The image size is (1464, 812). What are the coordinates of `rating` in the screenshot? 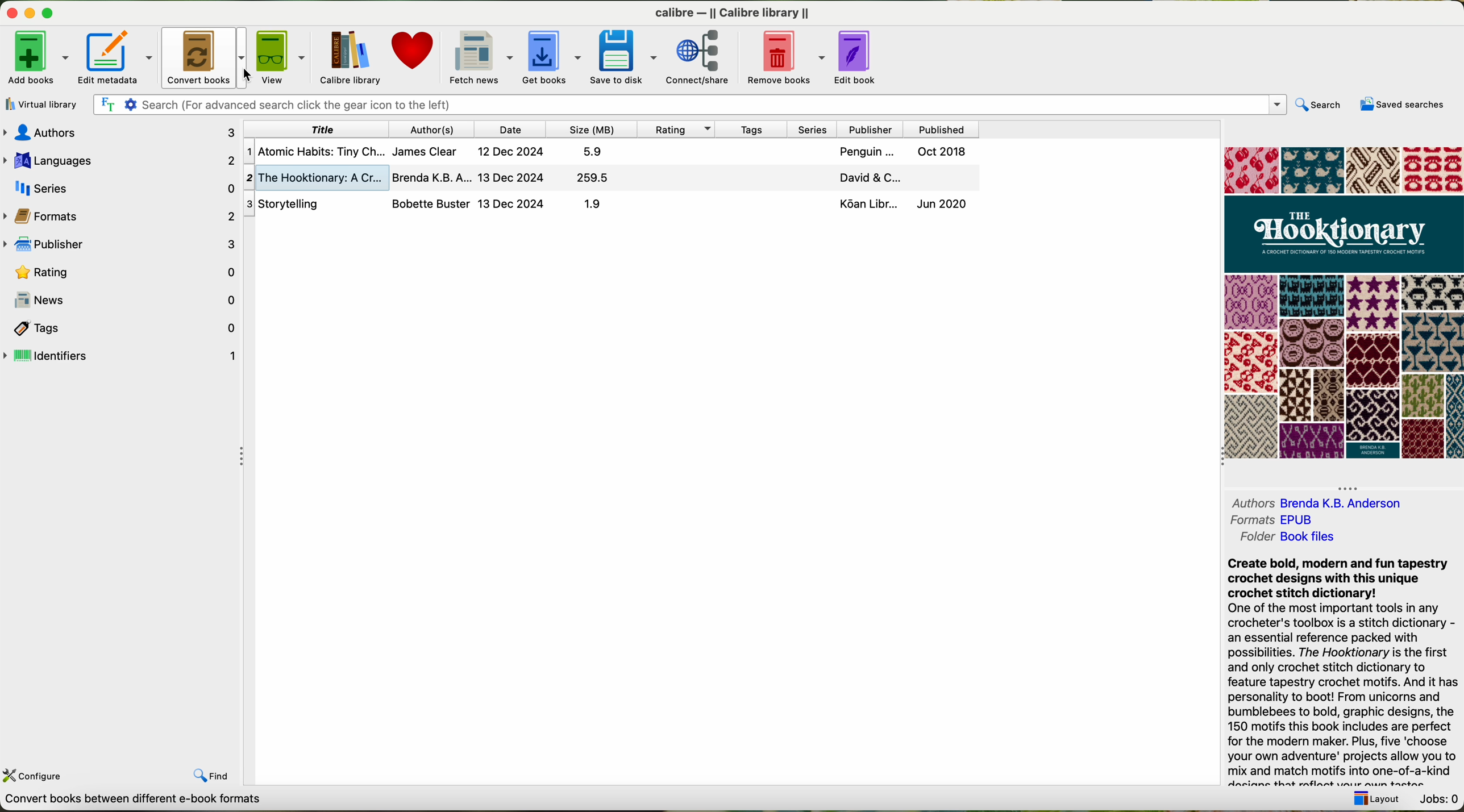 It's located at (125, 272).